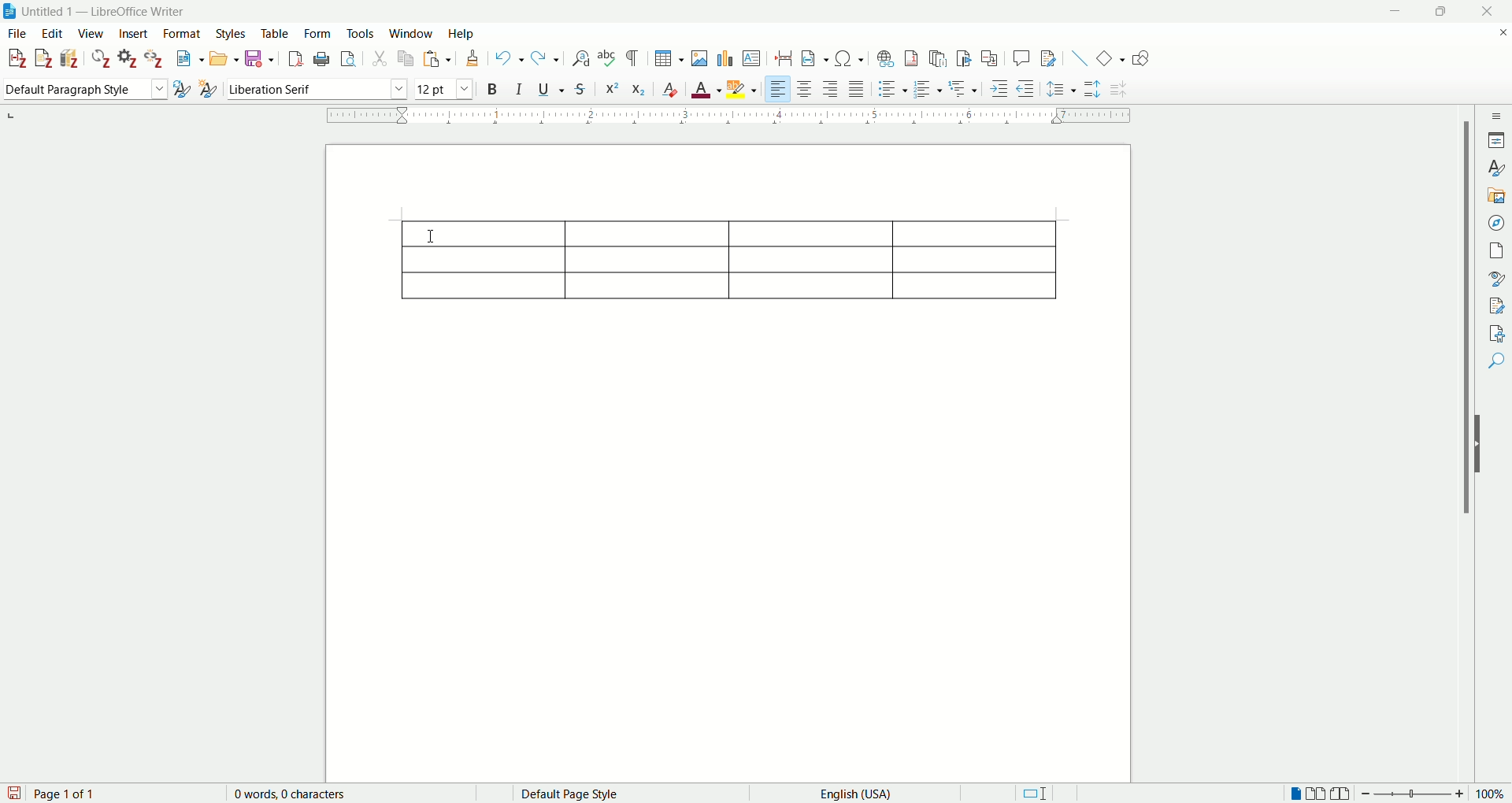 The width and height of the screenshot is (1512, 803). I want to click on align center, so click(804, 89).